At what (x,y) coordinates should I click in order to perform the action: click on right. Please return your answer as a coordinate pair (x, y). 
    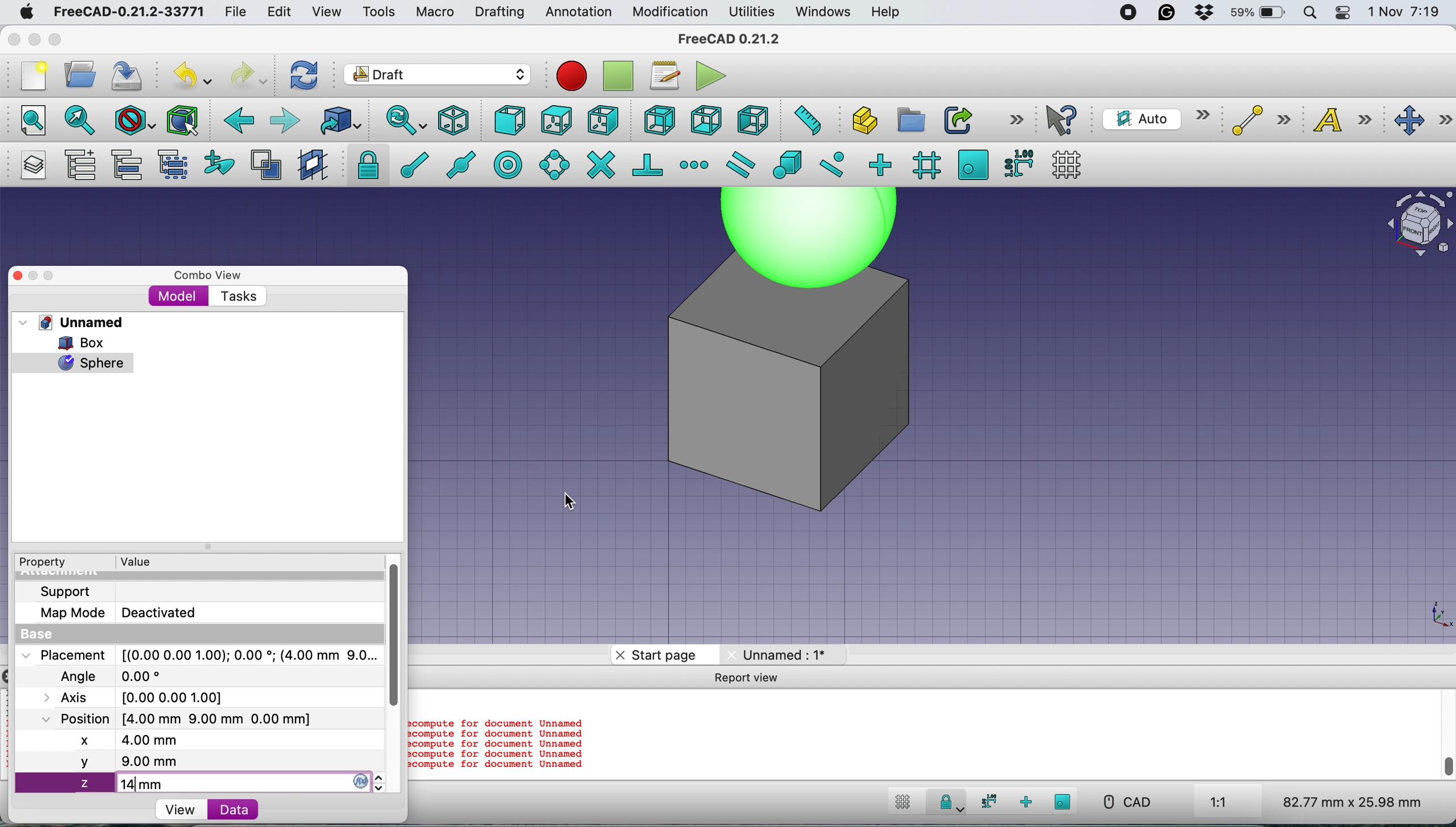
    Looking at the image, I should click on (604, 120).